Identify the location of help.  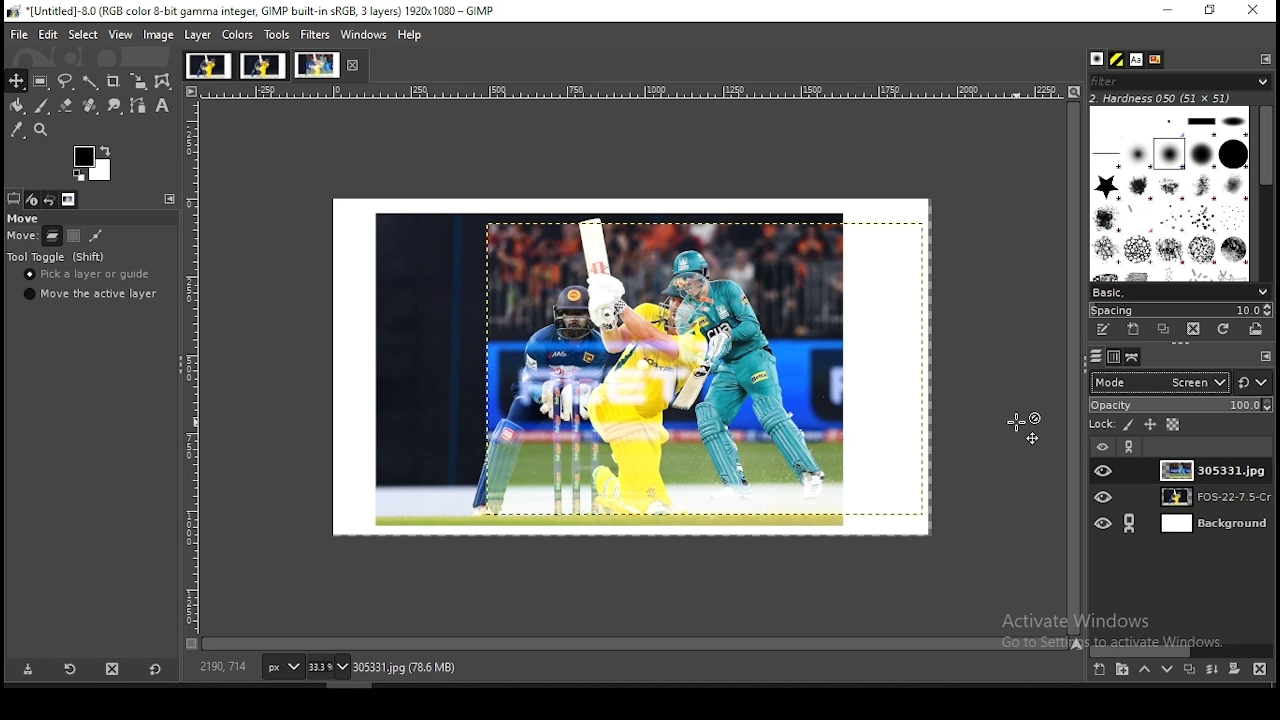
(411, 36).